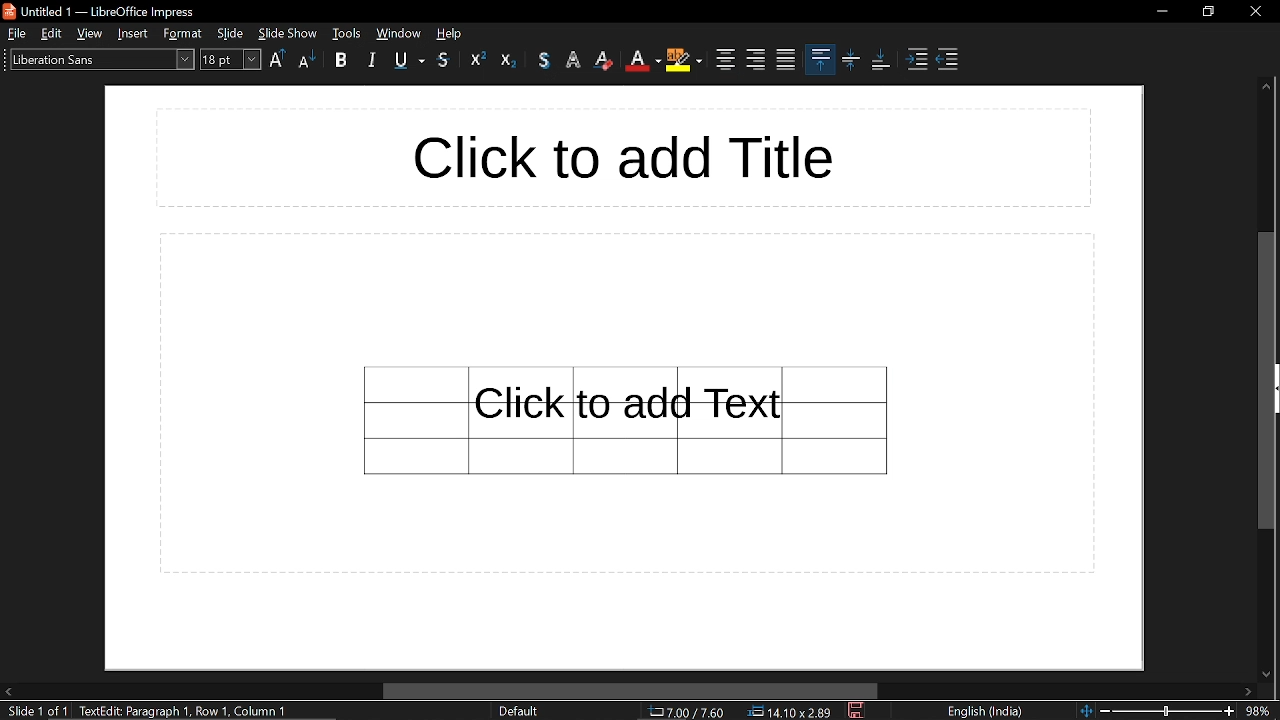 This screenshot has width=1280, height=720. I want to click on text size, so click(231, 61).